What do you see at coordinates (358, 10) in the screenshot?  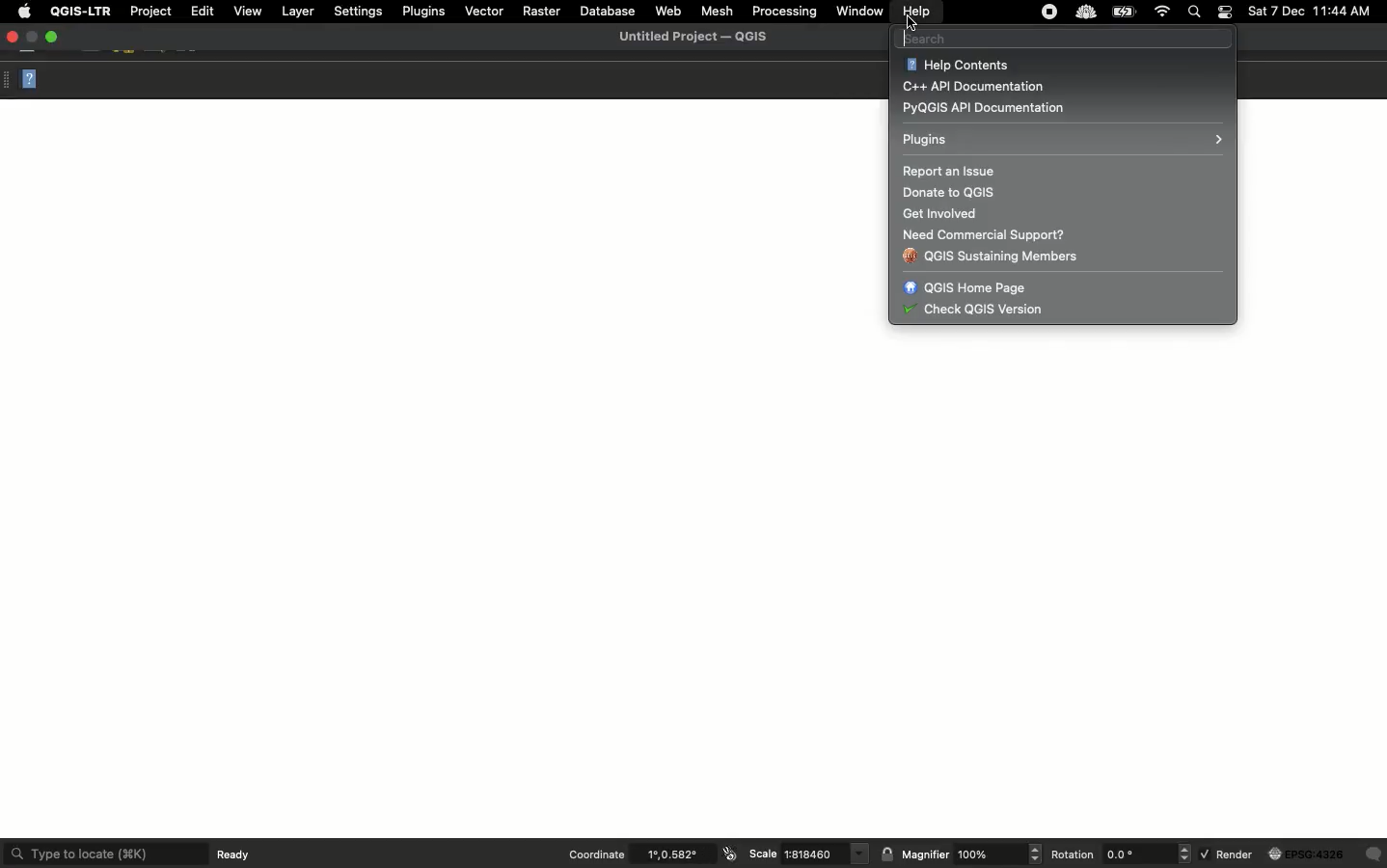 I see `Settings` at bounding box center [358, 10].